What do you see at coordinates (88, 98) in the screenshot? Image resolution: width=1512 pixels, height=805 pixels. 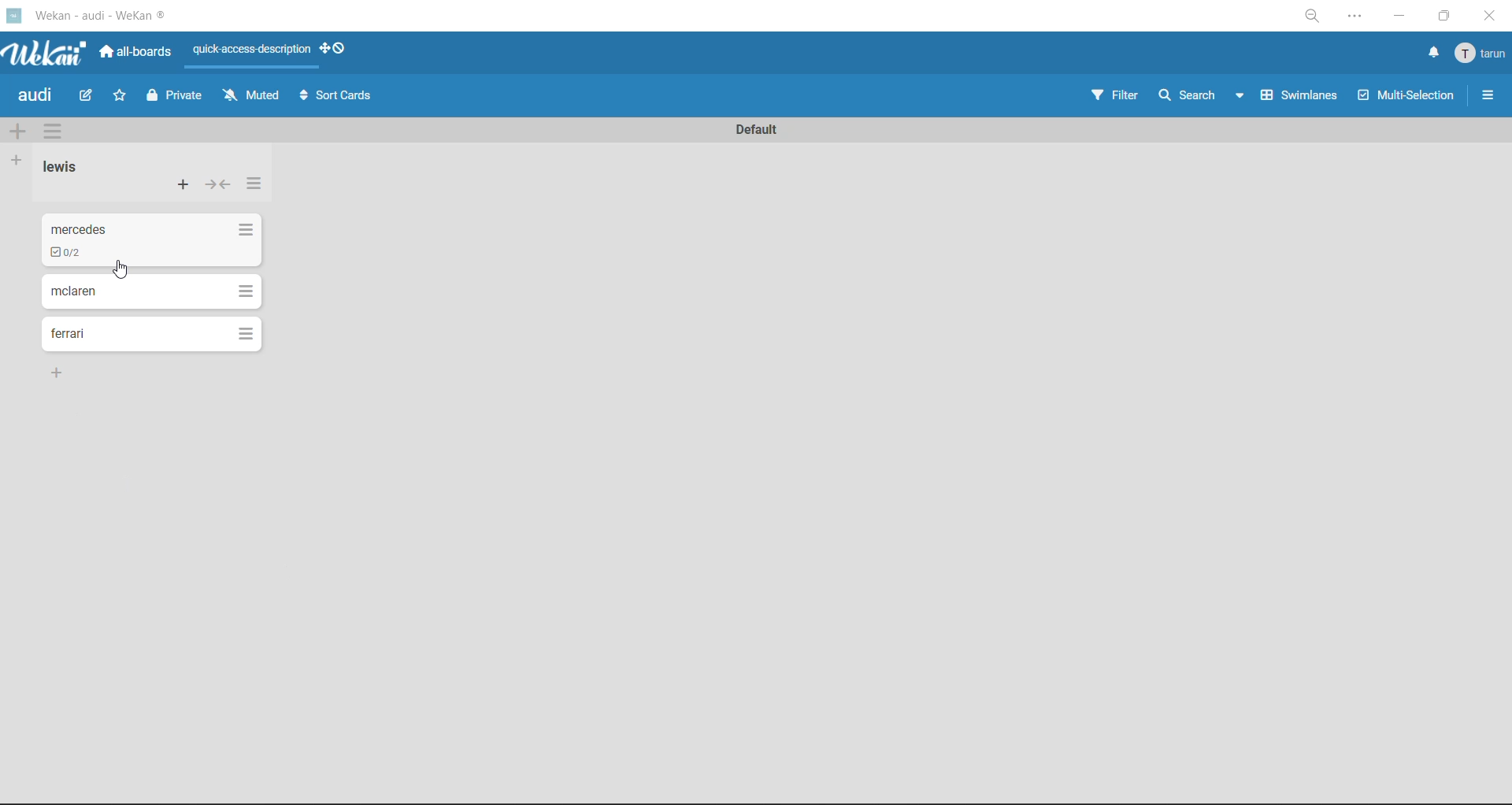 I see `edit` at bounding box center [88, 98].